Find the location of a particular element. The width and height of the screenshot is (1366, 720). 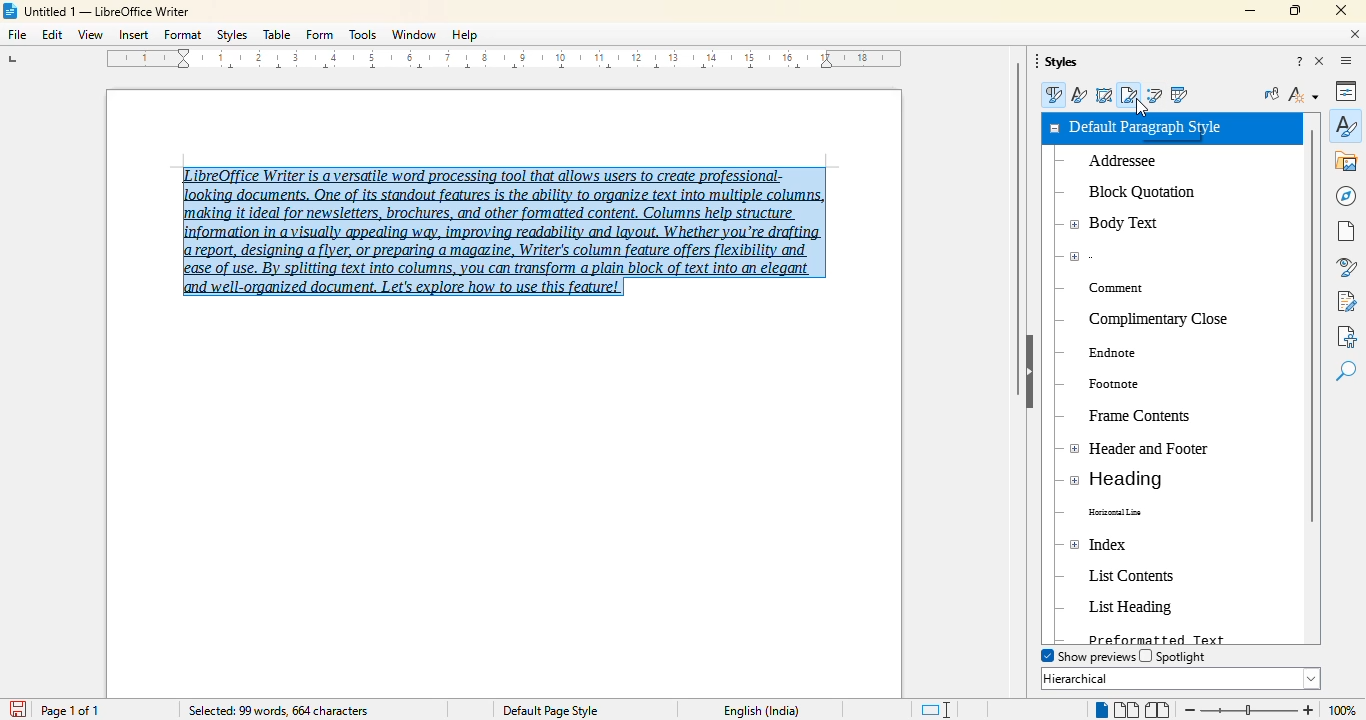

Index is located at coordinates (1121, 543).